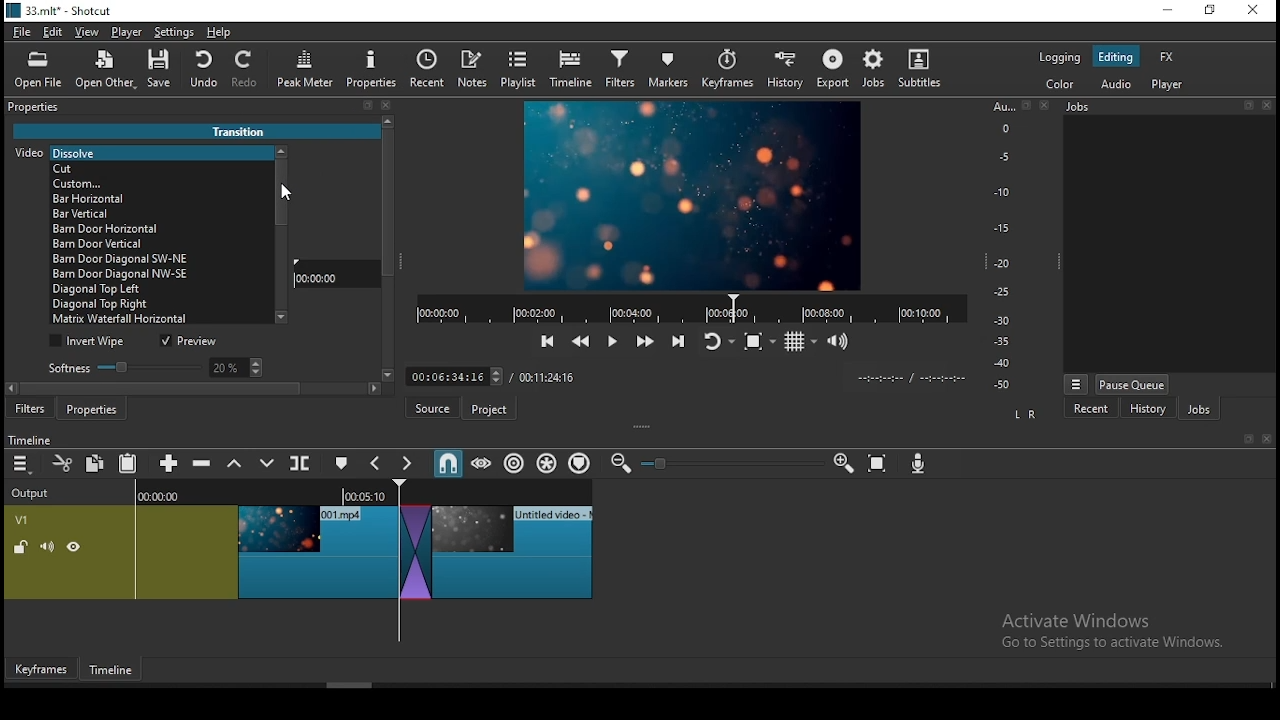 The height and width of the screenshot is (720, 1280). Describe the element at coordinates (716, 343) in the screenshot. I see `toggle player looping` at that location.